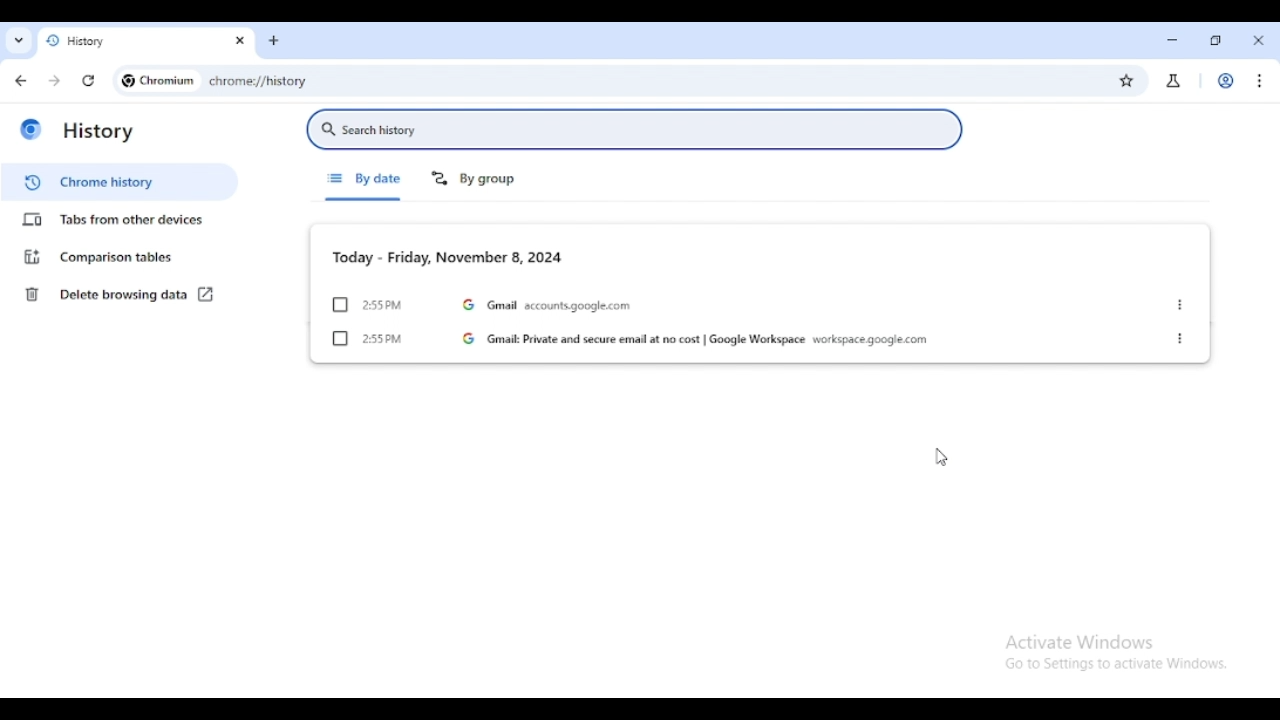 The width and height of the screenshot is (1280, 720). I want to click on customize and control chromium, so click(1262, 81).